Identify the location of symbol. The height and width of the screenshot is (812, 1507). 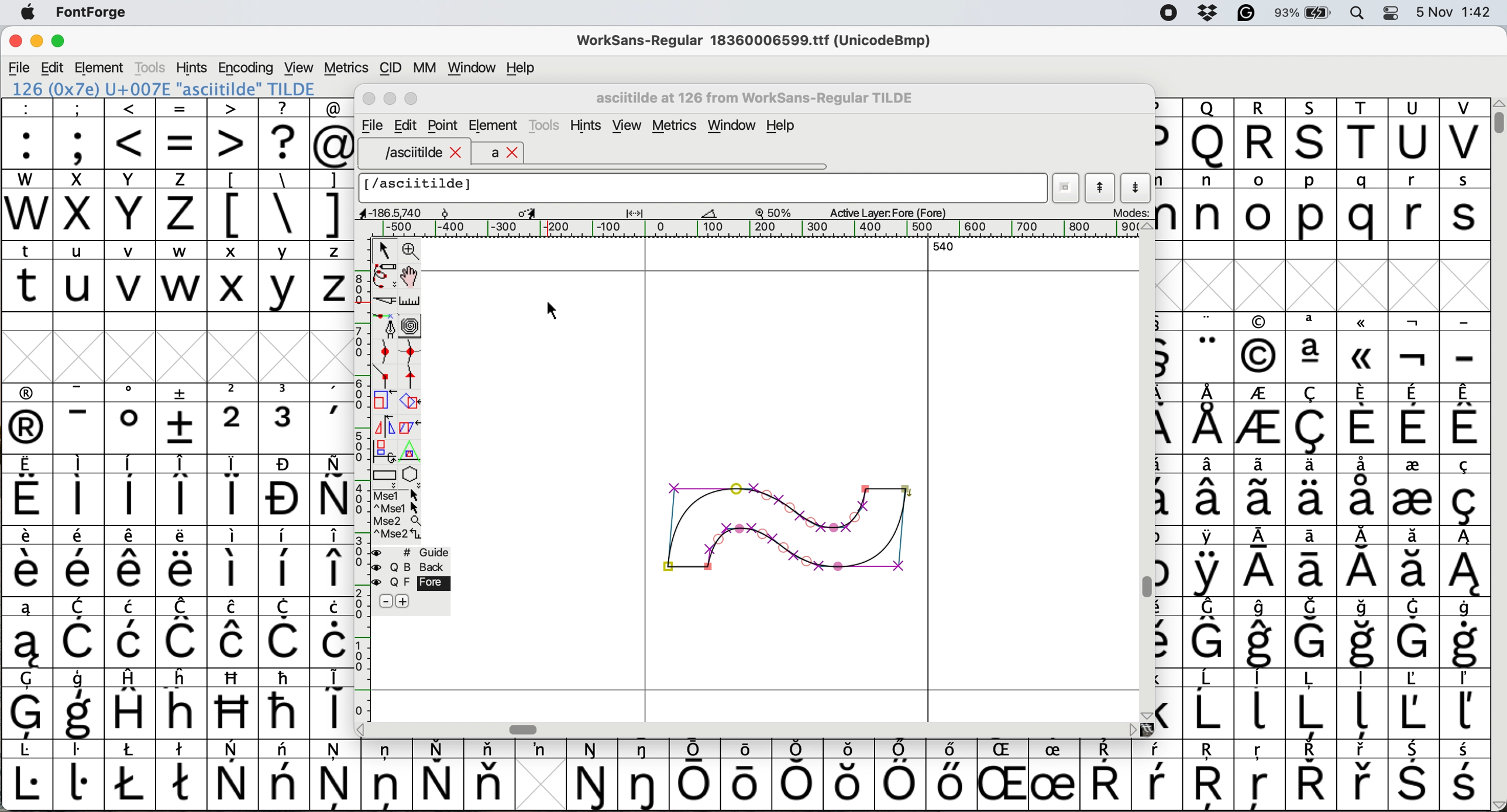
(1363, 418).